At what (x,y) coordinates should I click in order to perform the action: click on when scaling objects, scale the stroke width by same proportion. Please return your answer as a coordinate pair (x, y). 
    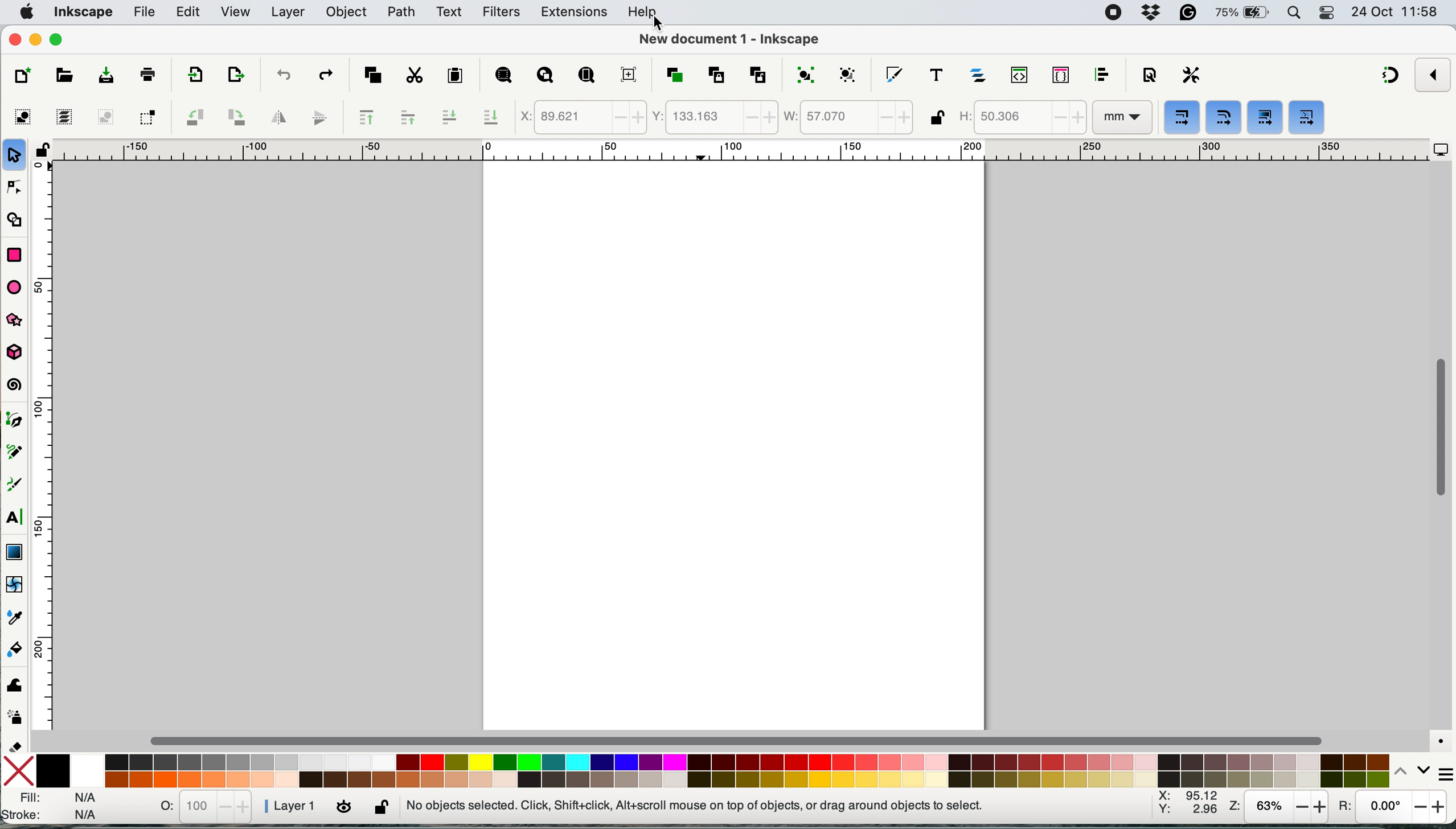
    Looking at the image, I should click on (1181, 118).